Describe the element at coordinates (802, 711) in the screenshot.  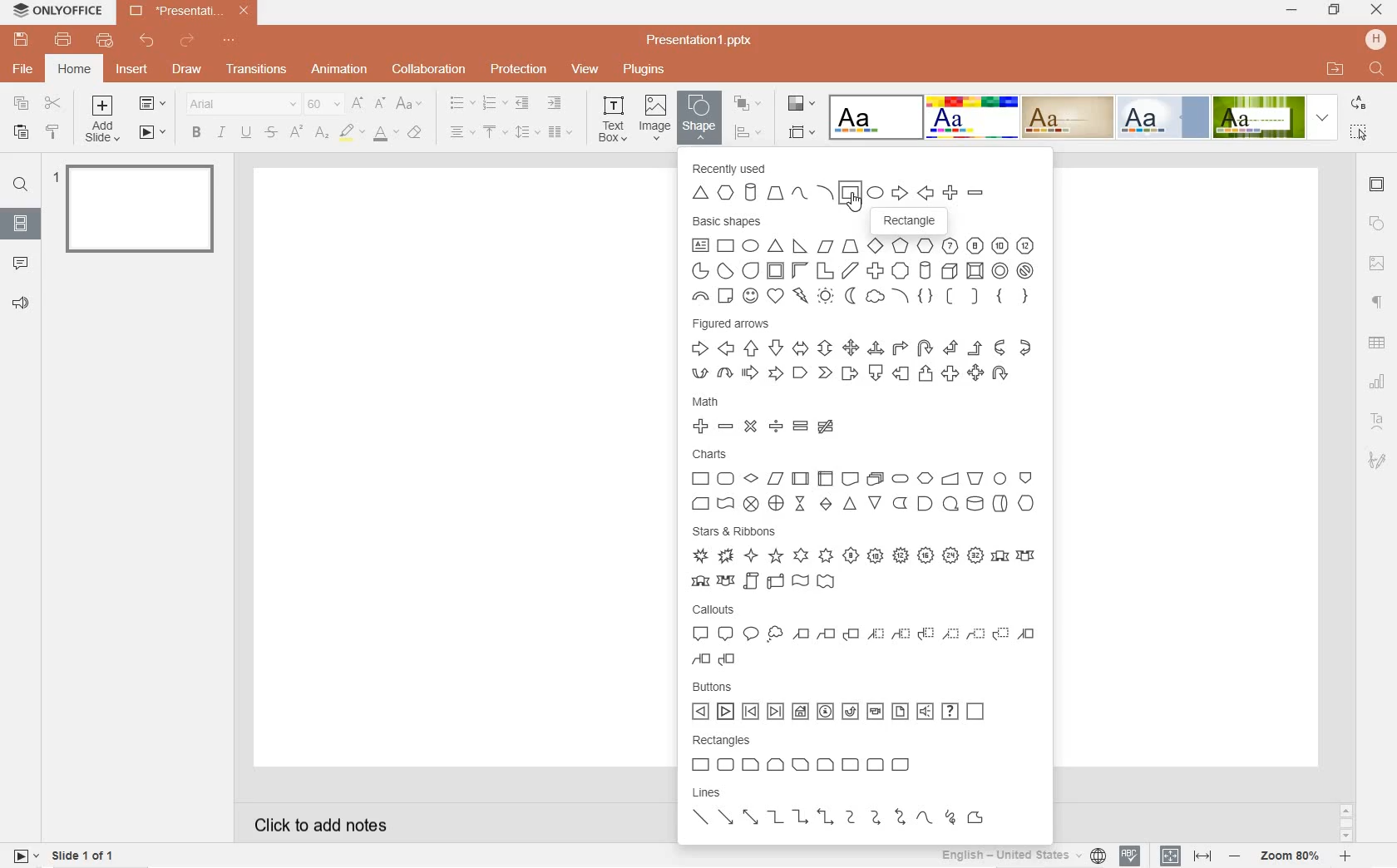
I see `Home Button` at that location.